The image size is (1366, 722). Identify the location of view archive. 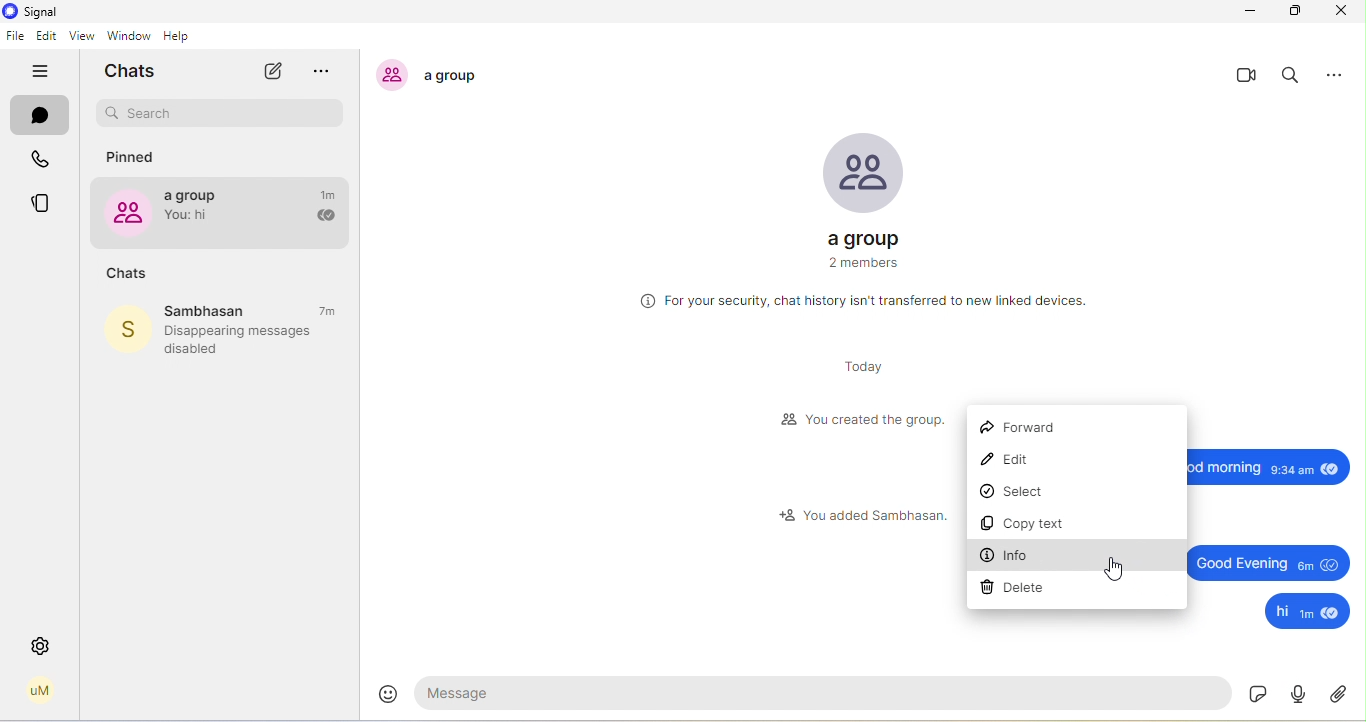
(329, 73).